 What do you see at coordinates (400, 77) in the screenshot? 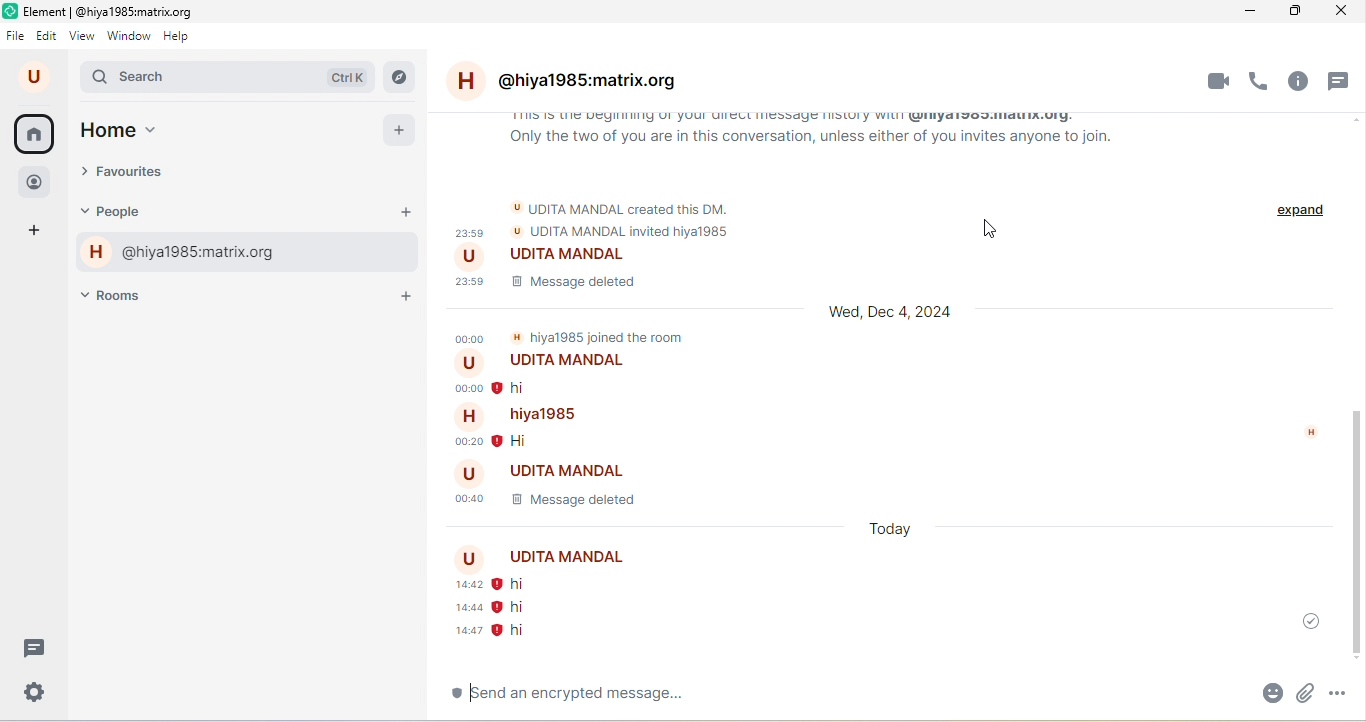
I see `explore rooms` at bounding box center [400, 77].